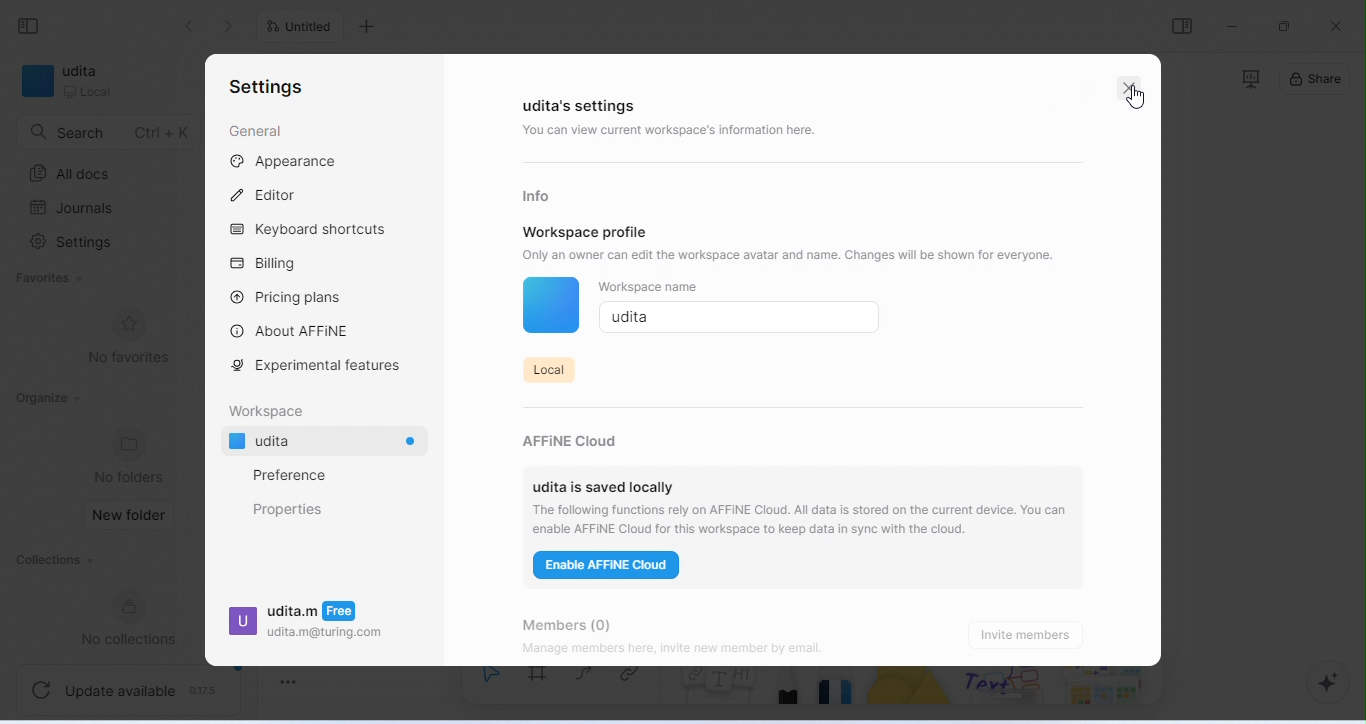 The image size is (1366, 724). I want to click on organize, so click(47, 398).